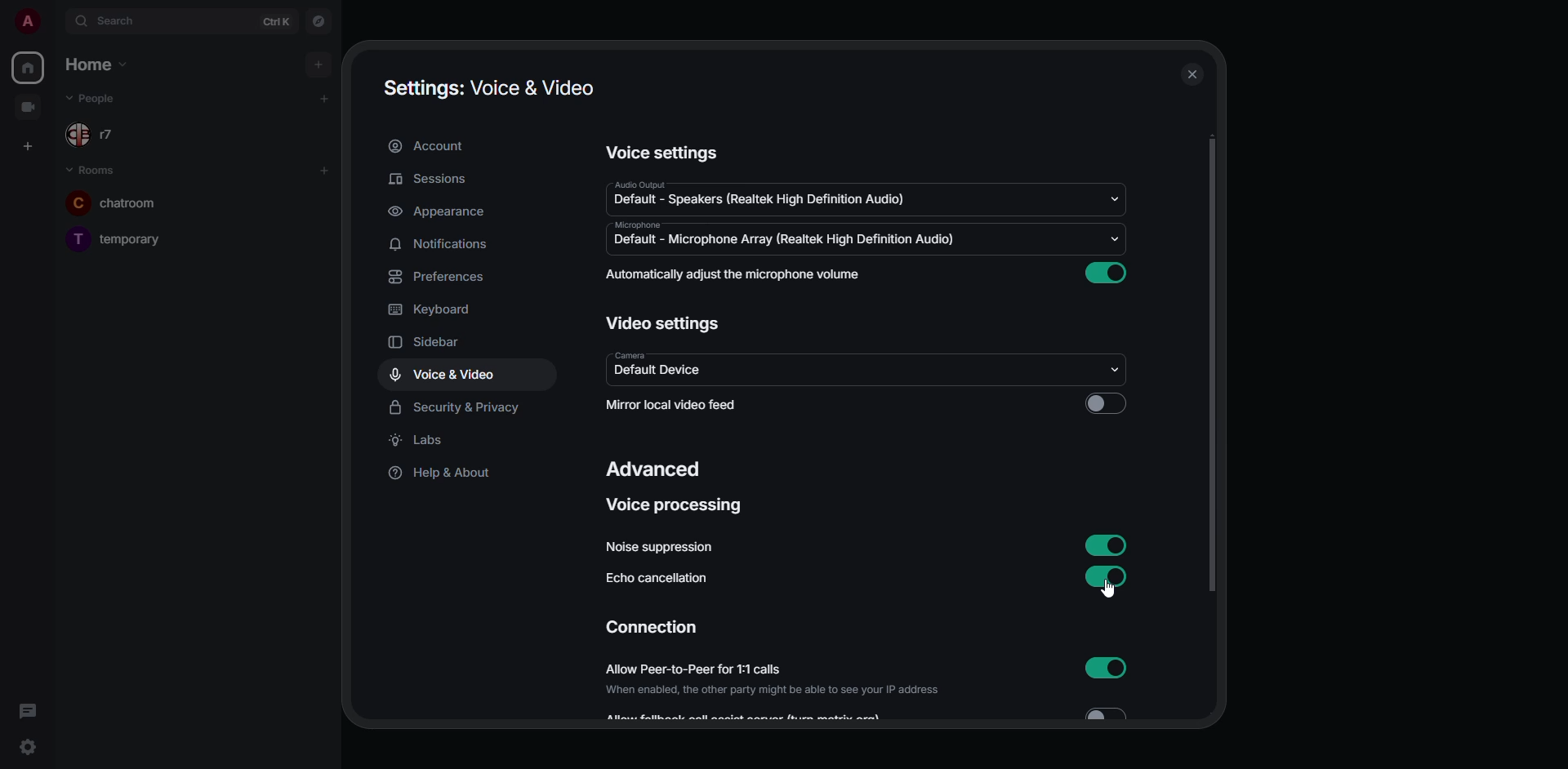  I want to click on enabled, so click(1108, 546).